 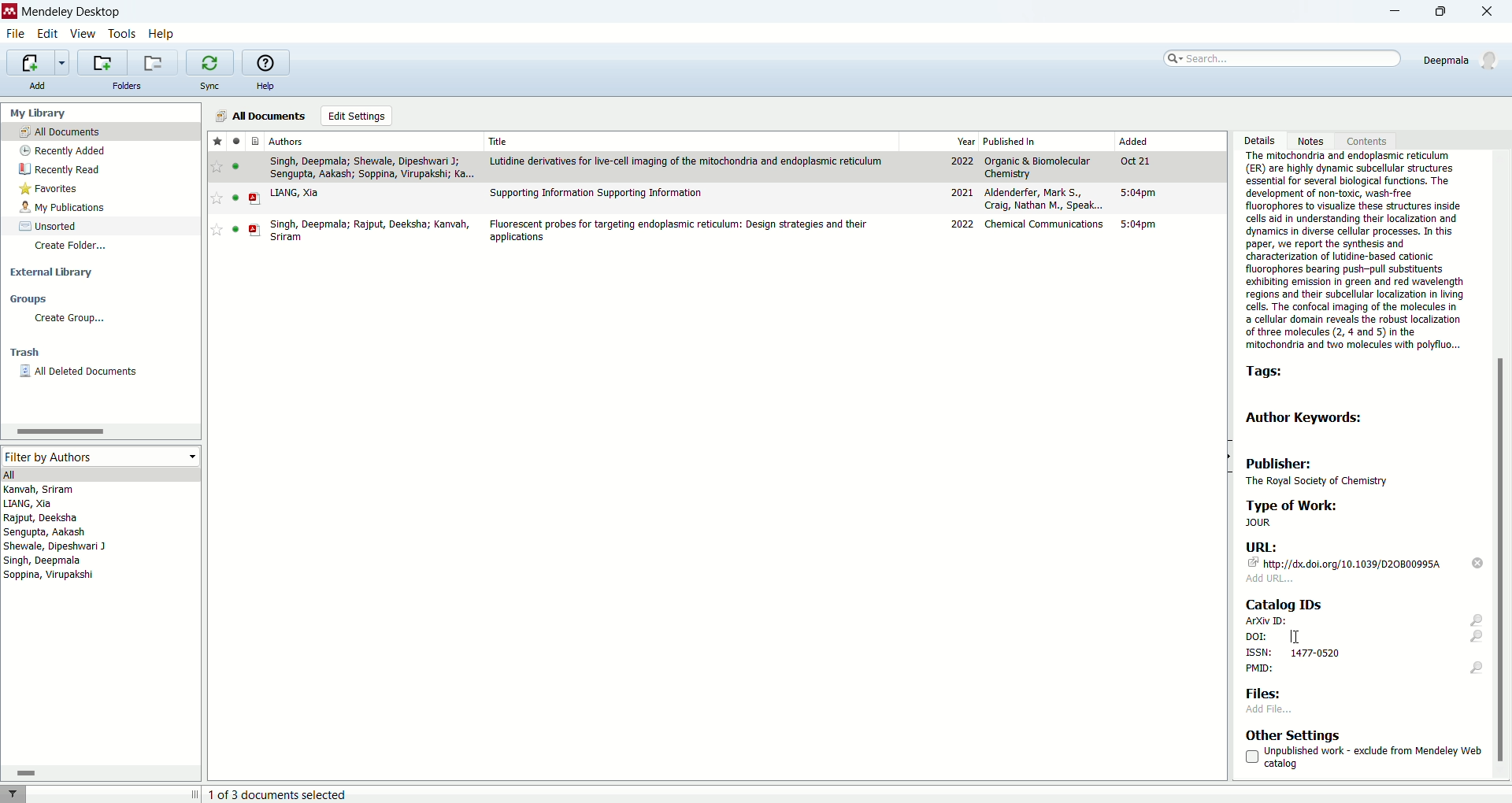 What do you see at coordinates (35, 85) in the screenshot?
I see `add` at bounding box center [35, 85].